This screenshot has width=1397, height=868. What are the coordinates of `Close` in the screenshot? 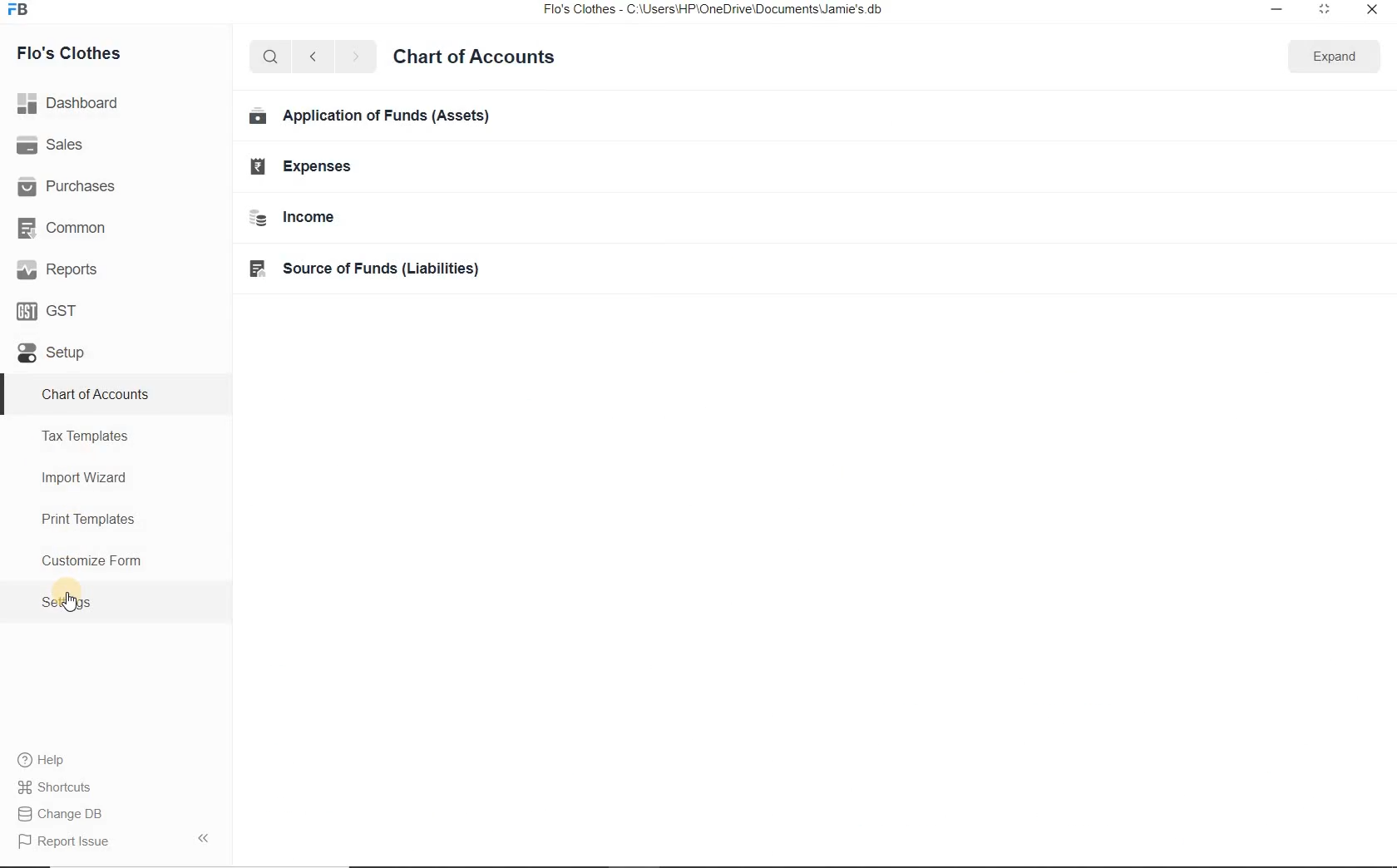 It's located at (1372, 8).